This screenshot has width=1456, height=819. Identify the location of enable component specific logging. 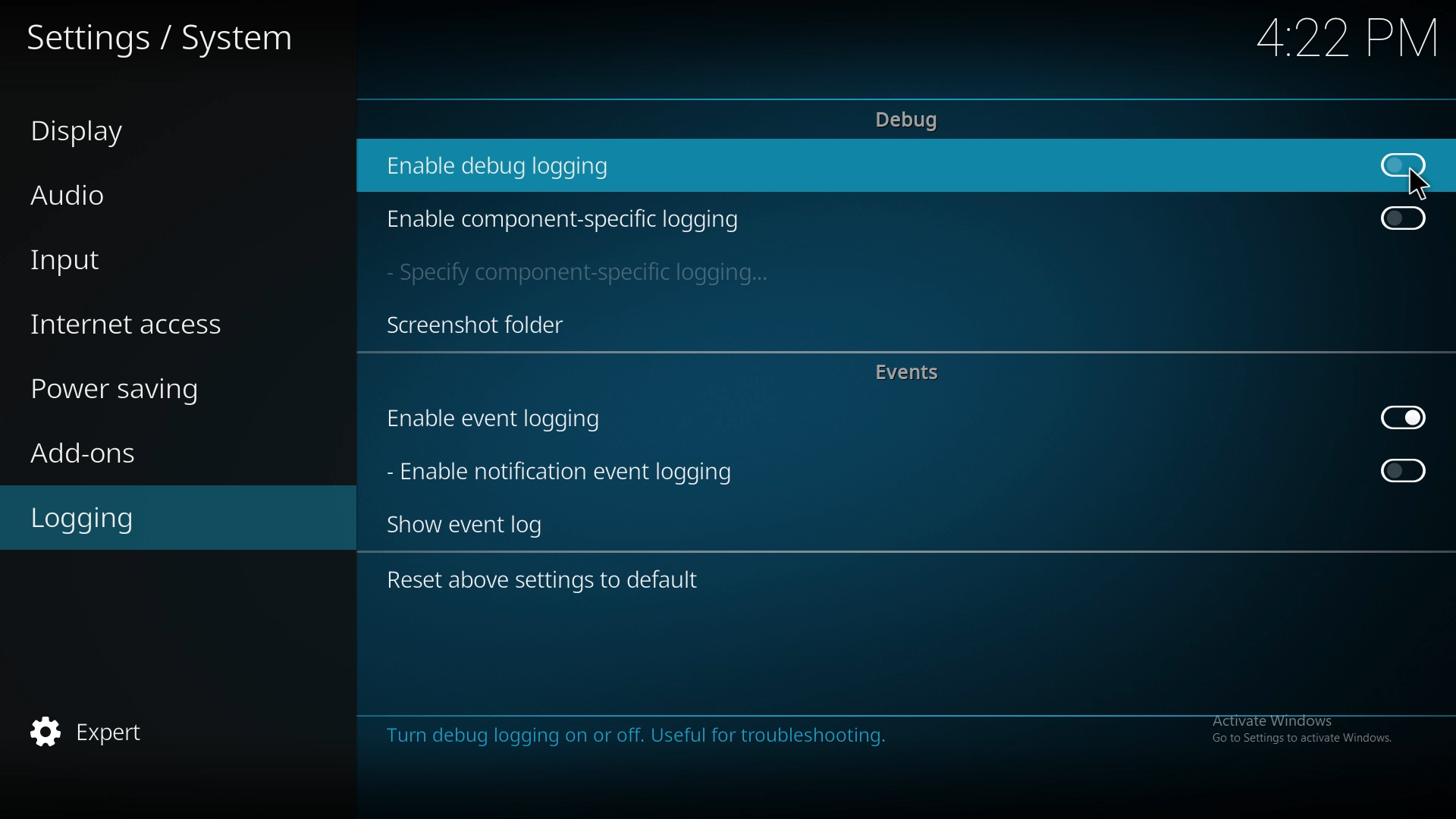
(564, 219).